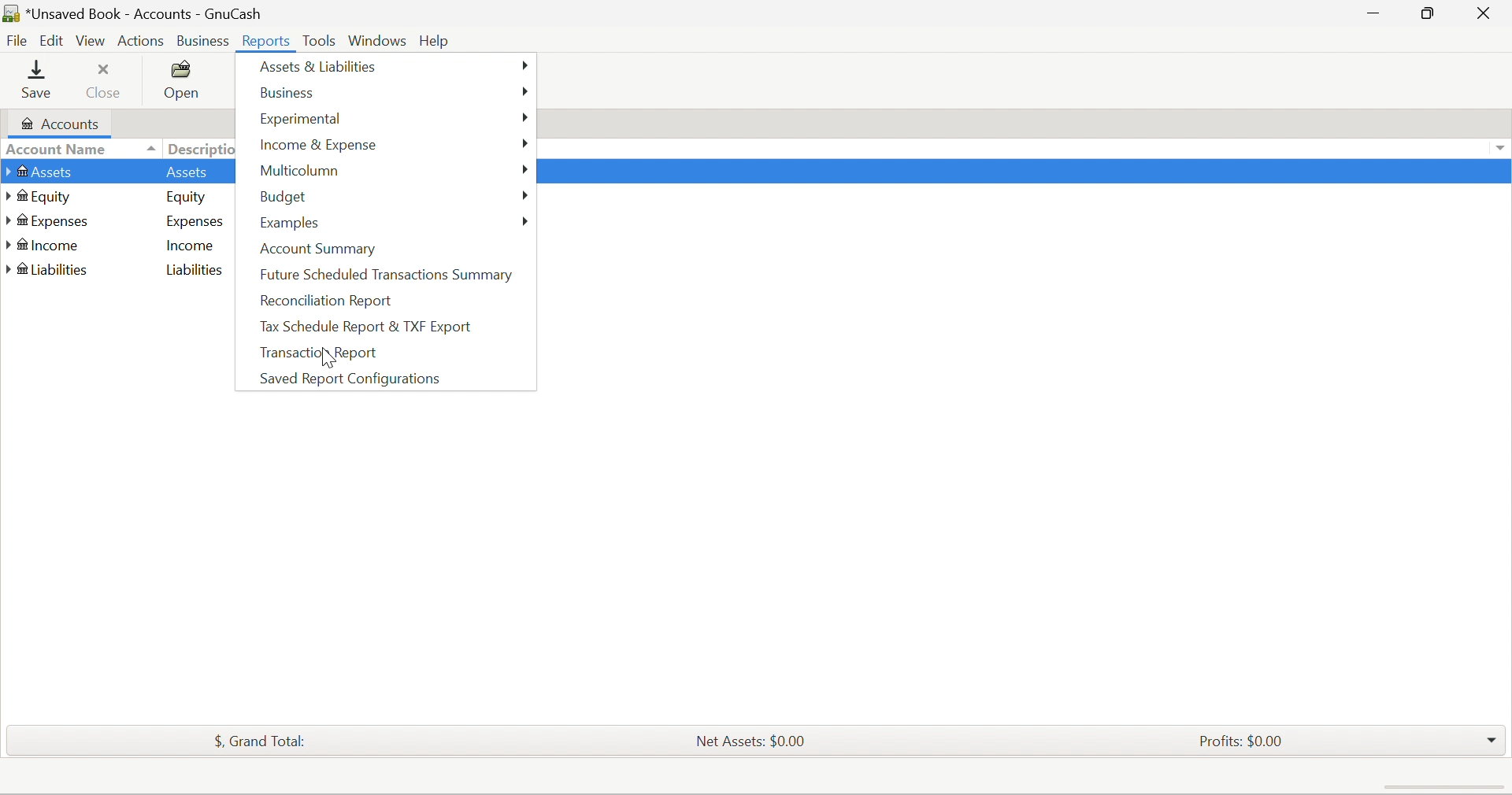 The height and width of the screenshot is (795, 1512). What do you see at coordinates (354, 379) in the screenshot?
I see `Saved Report Configurations` at bounding box center [354, 379].